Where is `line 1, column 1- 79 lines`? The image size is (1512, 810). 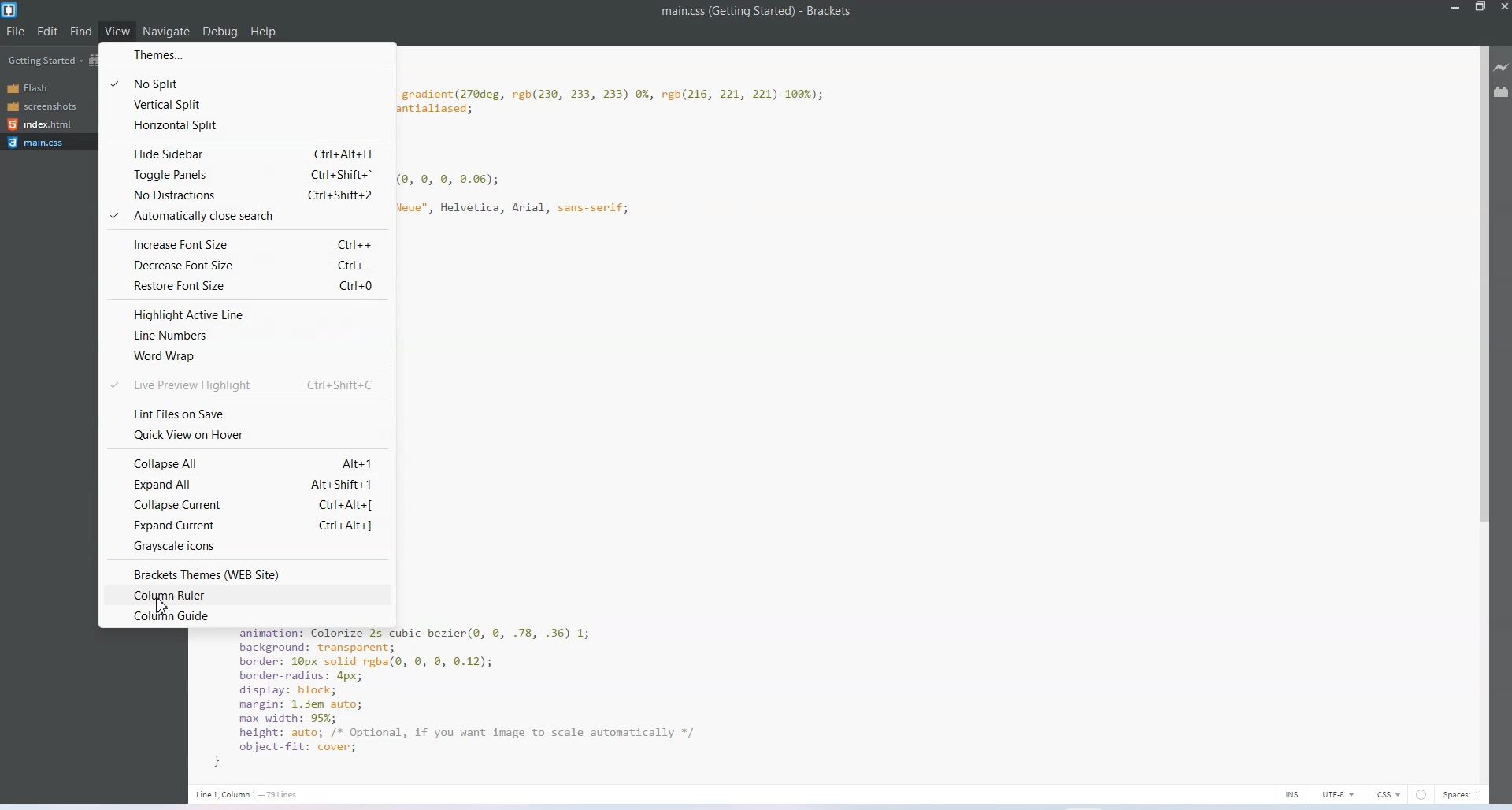
line 1, column 1- 79 lines is located at coordinates (243, 793).